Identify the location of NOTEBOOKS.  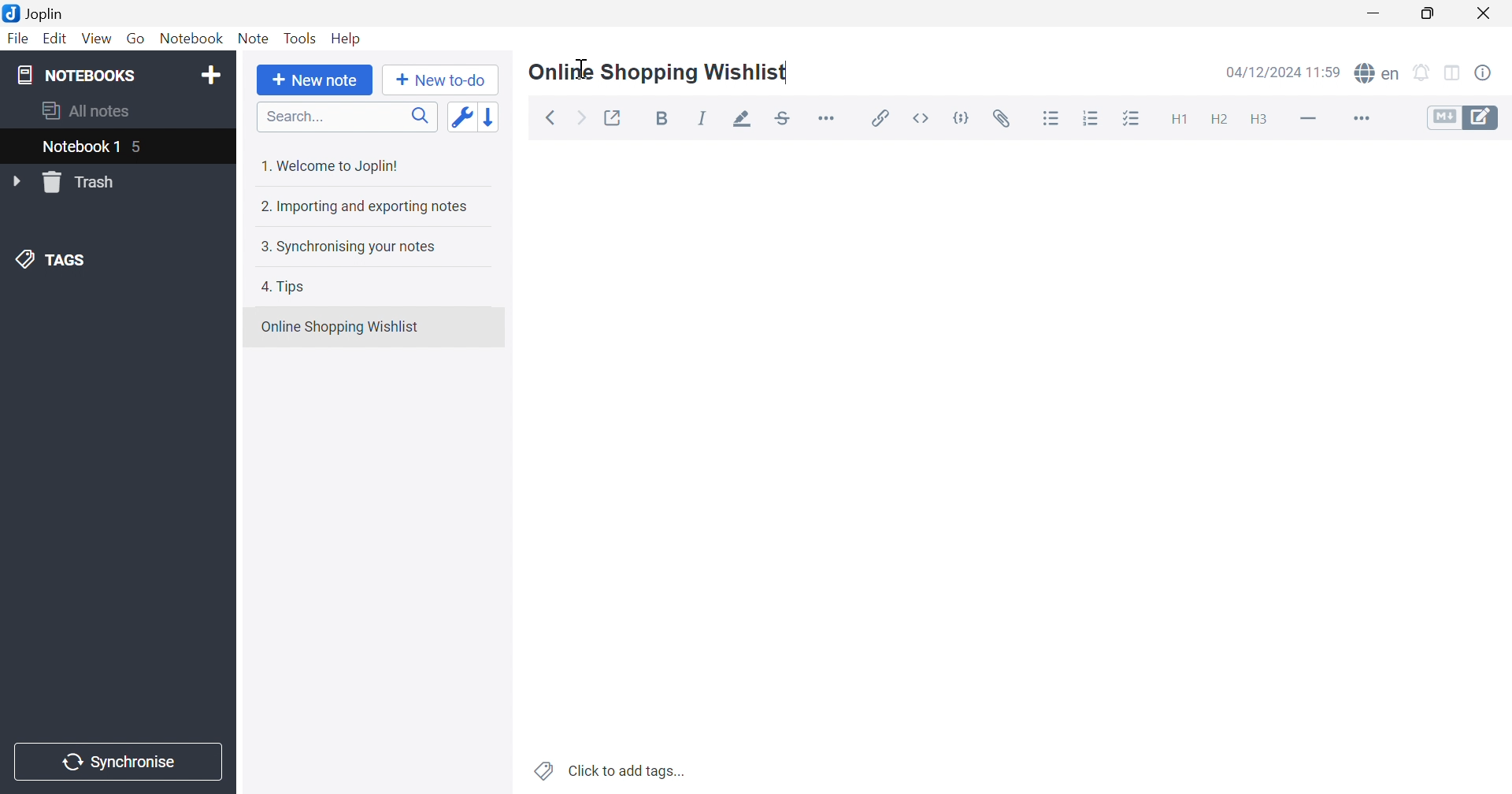
(75, 74).